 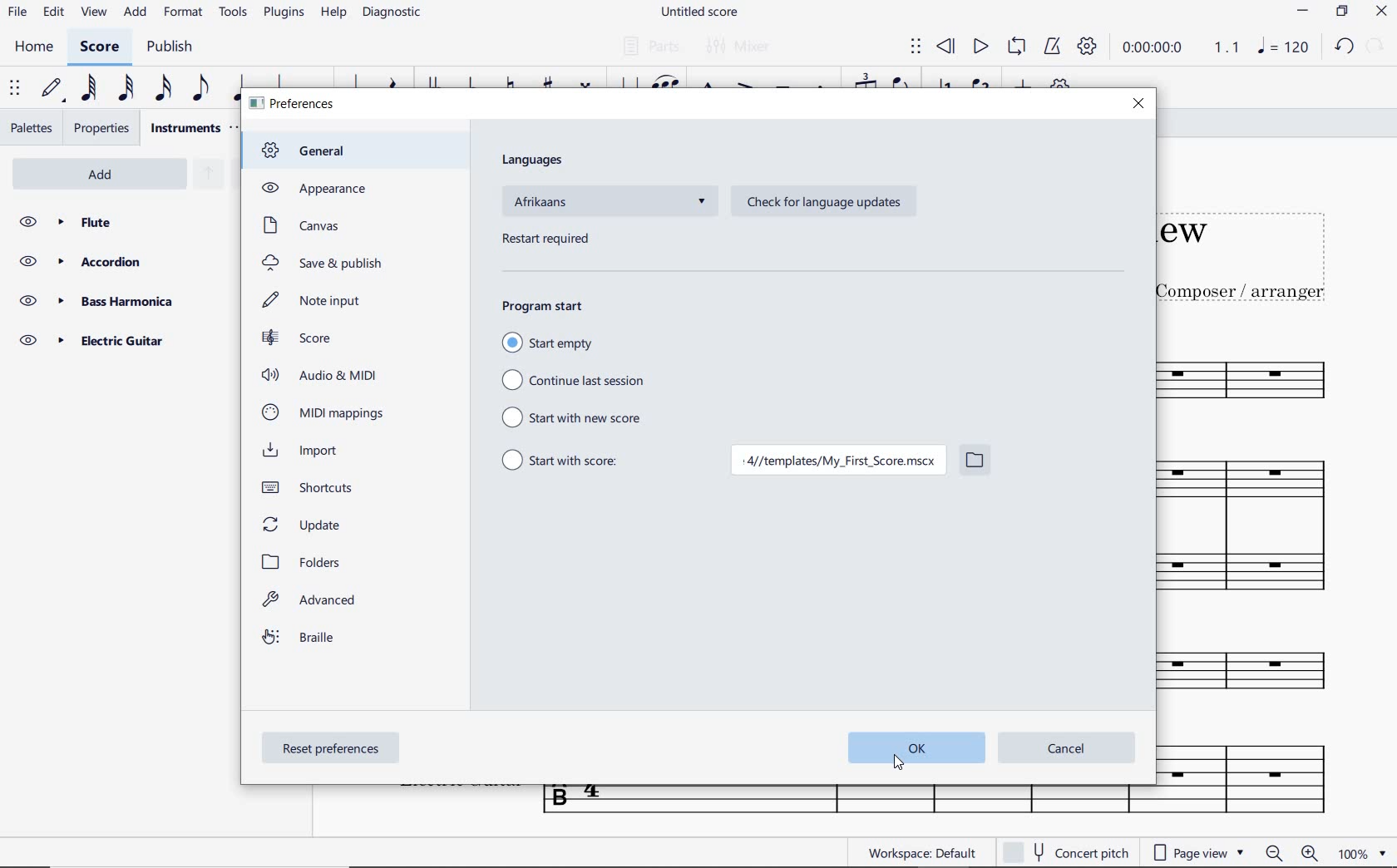 What do you see at coordinates (1266, 377) in the screenshot?
I see `Instrument: Flute` at bounding box center [1266, 377].